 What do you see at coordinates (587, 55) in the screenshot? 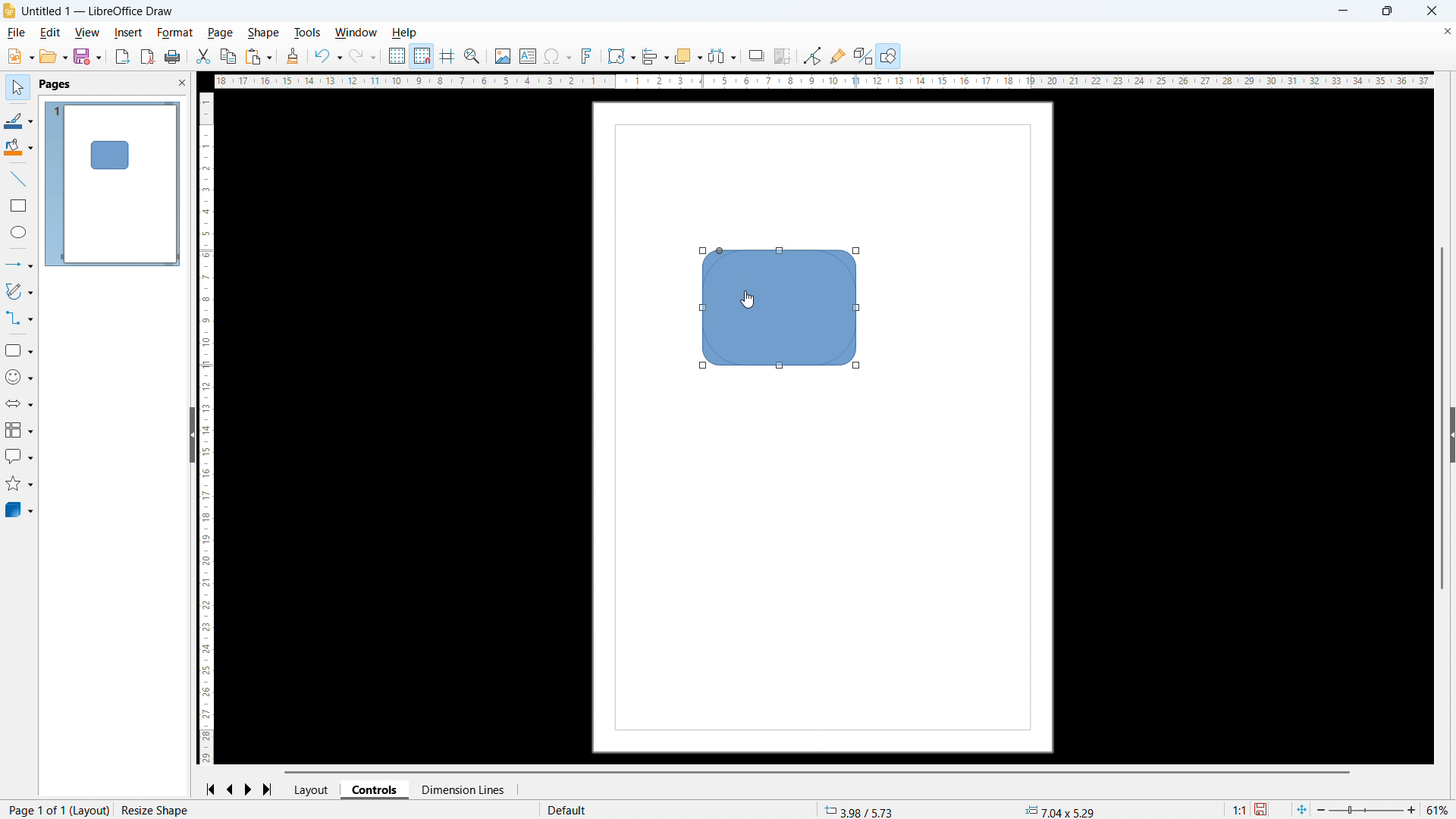
I see `Insert font work text ` at bounding box center [587, 55].